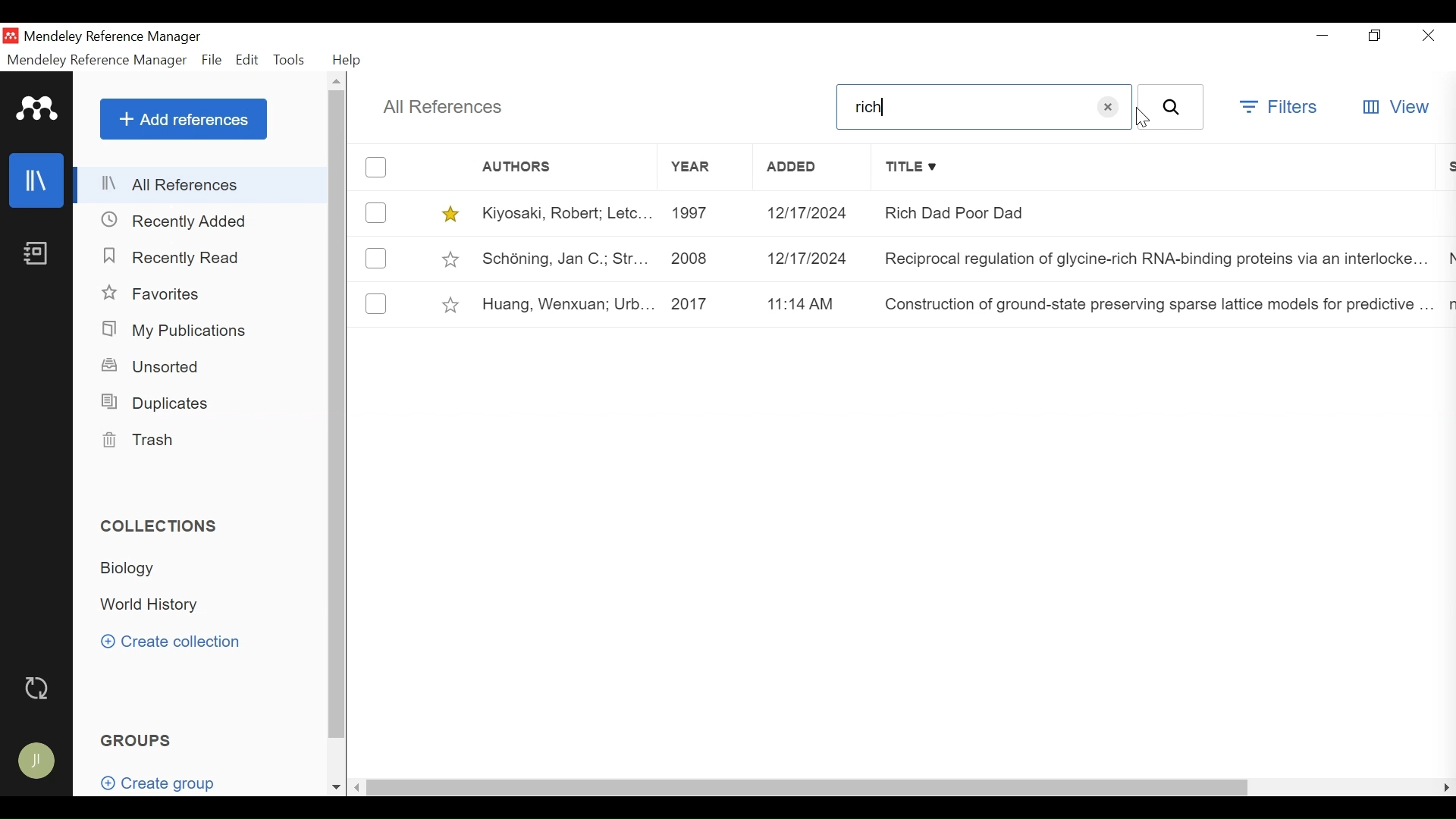 Image resolution: width=1456 pixels, height=819 pixels. What do you see at coordinates (180, 221) in the screenshot?
I see `Recently Added` at bounding box center [180, 221].